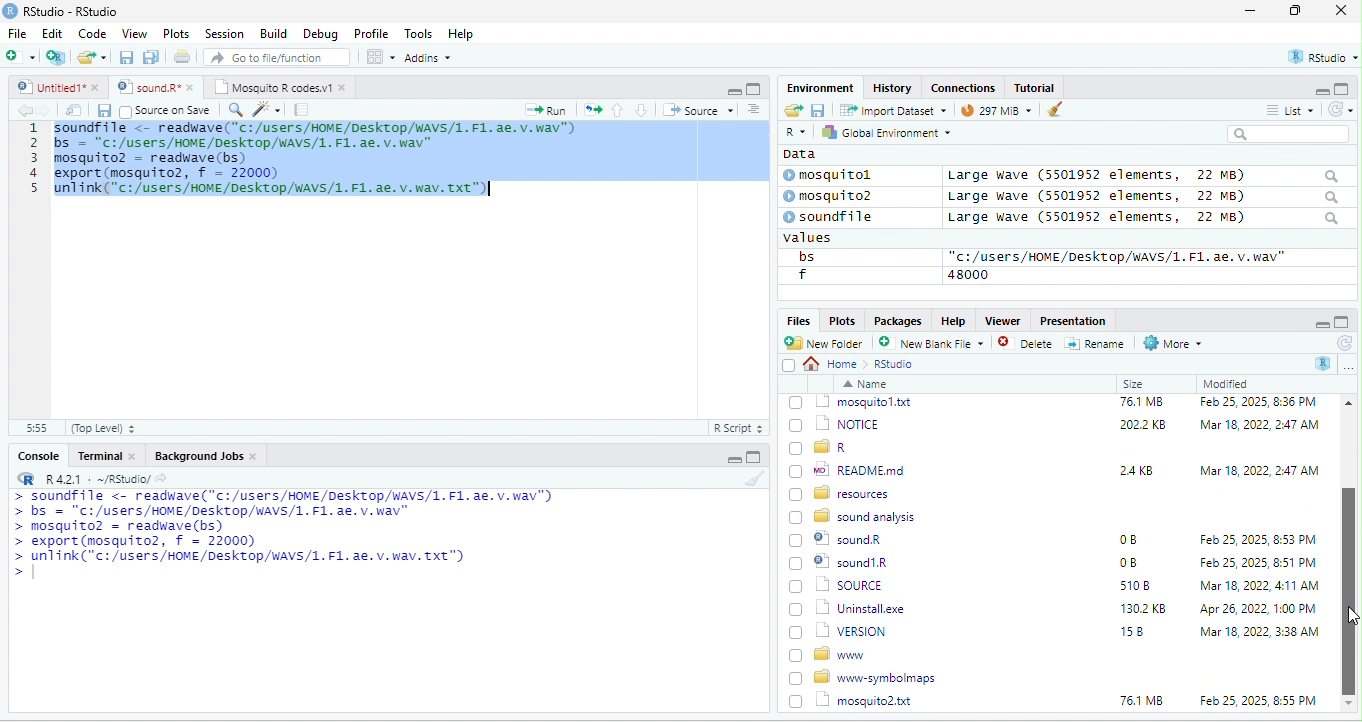 This screenshot has height=722, width=1362. Describe the element at coordinates (794, 133) in the screenshot. I see `R` at that location.